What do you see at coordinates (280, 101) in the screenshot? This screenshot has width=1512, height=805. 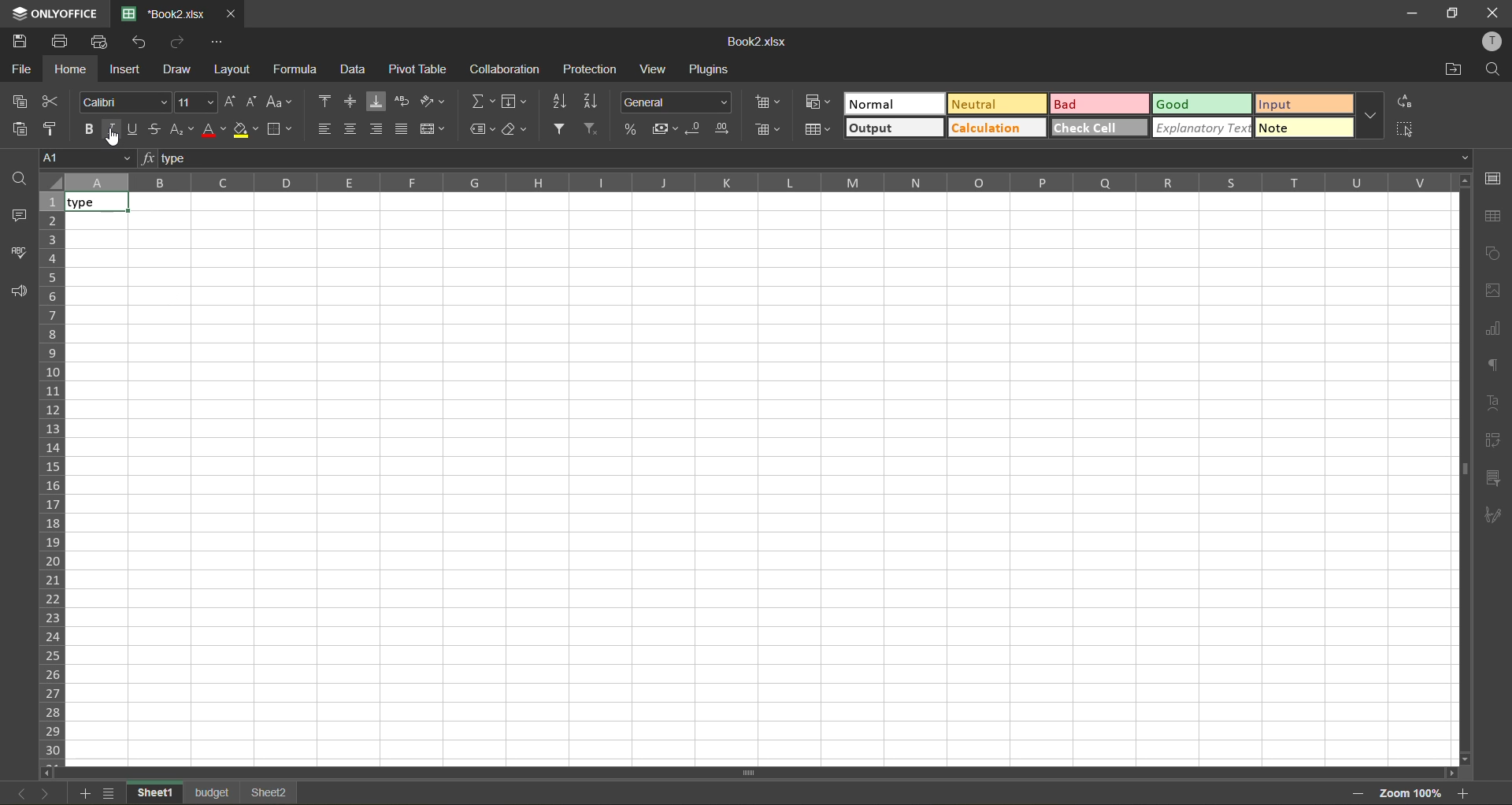 I see `change case` at bounding box center [280, 101].